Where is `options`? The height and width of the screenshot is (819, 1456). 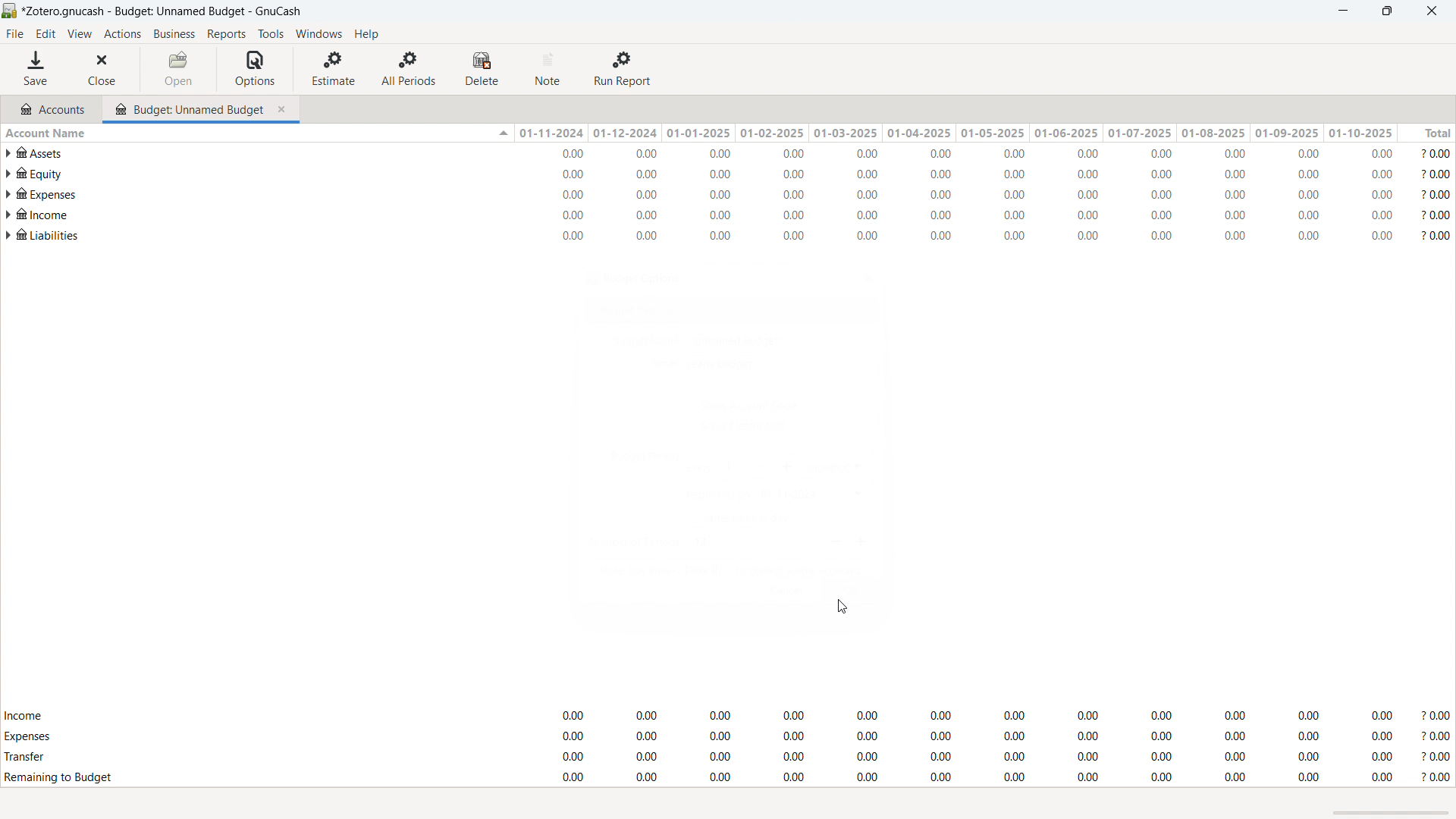
options is located at coordinates (255, 69).